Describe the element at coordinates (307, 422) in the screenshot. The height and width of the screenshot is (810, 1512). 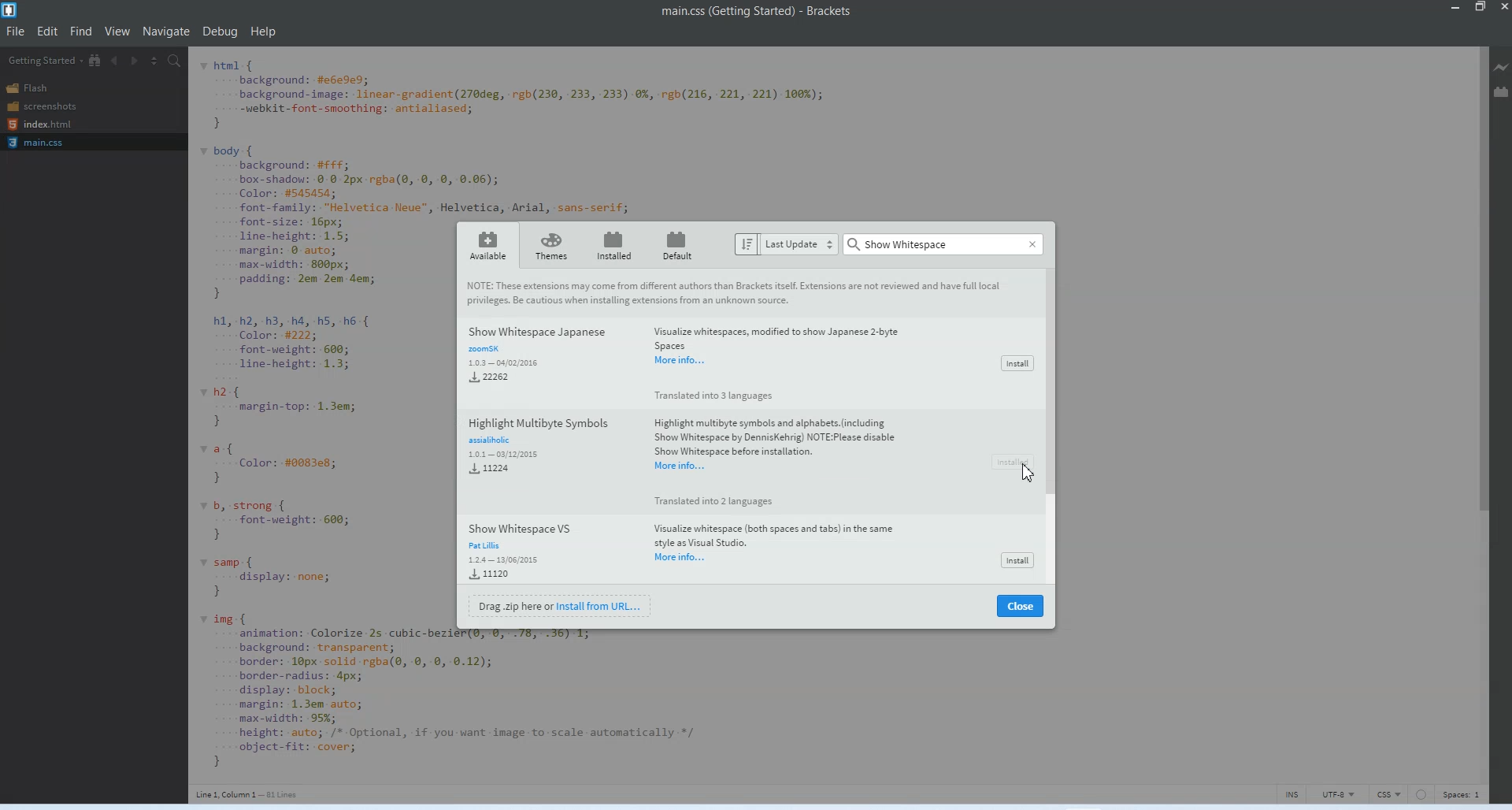
I see `Code` at that location.